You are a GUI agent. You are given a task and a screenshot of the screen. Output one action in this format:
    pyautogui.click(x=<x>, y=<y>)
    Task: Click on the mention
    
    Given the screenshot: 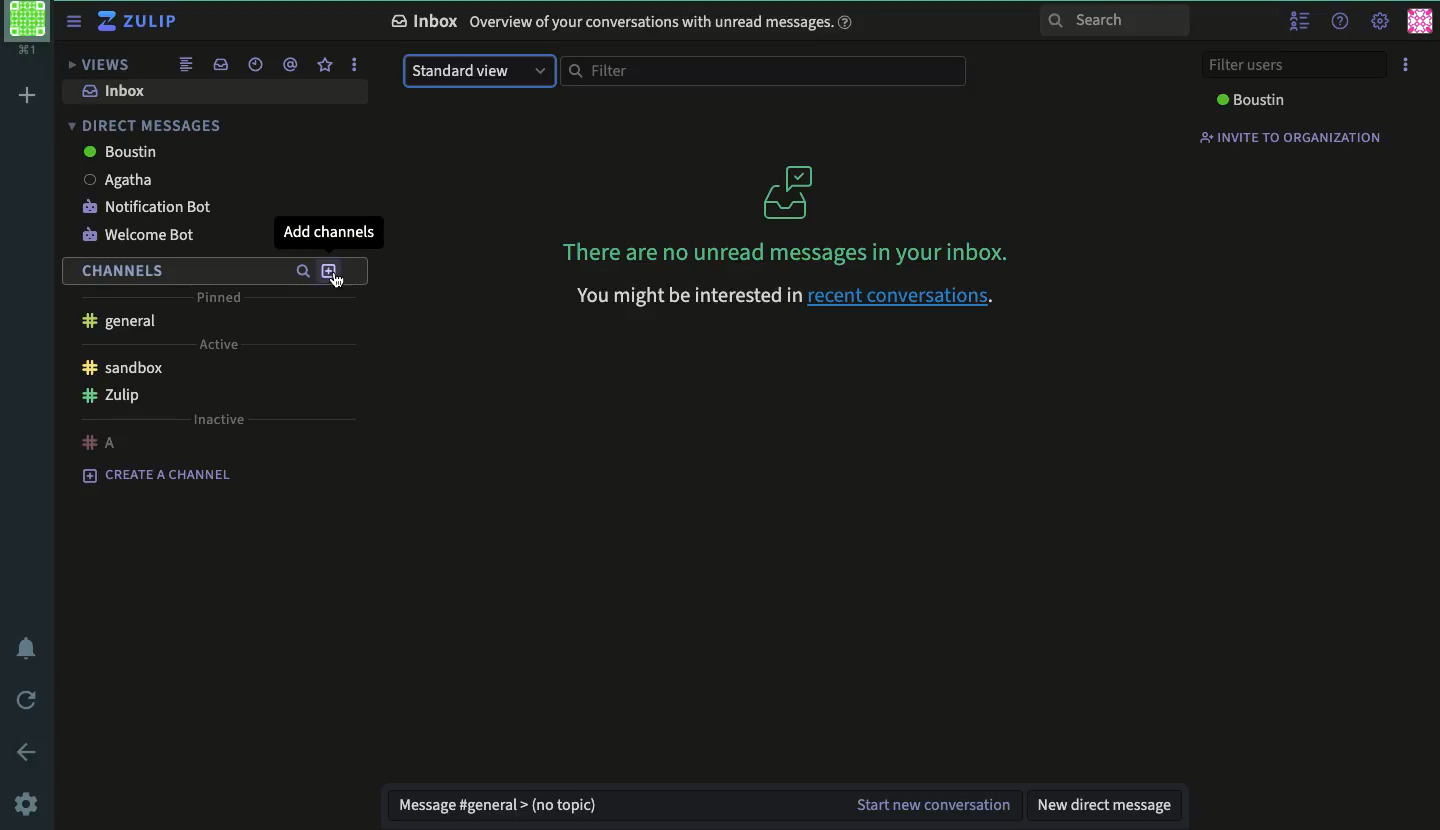 What is the action you would take?
    pyautogui.click(x=288, y=64)
    